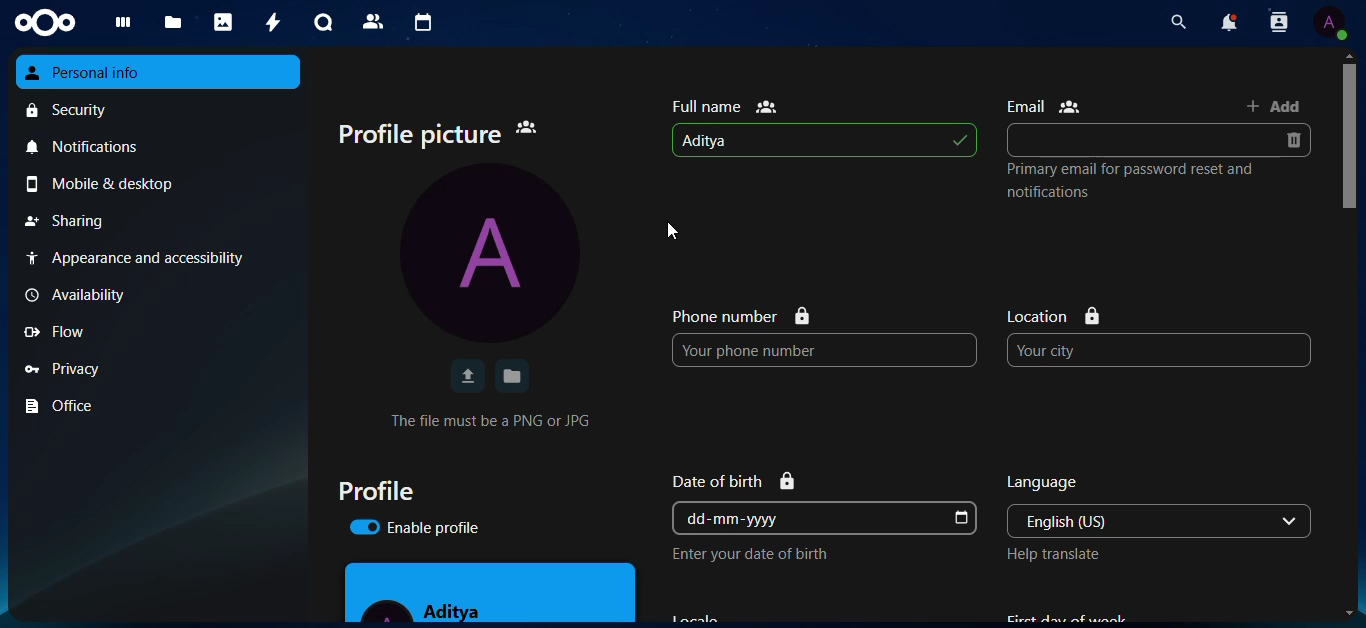  What do you see at coordinates (513, 376) in the screenshot?
I see `save` at bounding box center [513, 376].